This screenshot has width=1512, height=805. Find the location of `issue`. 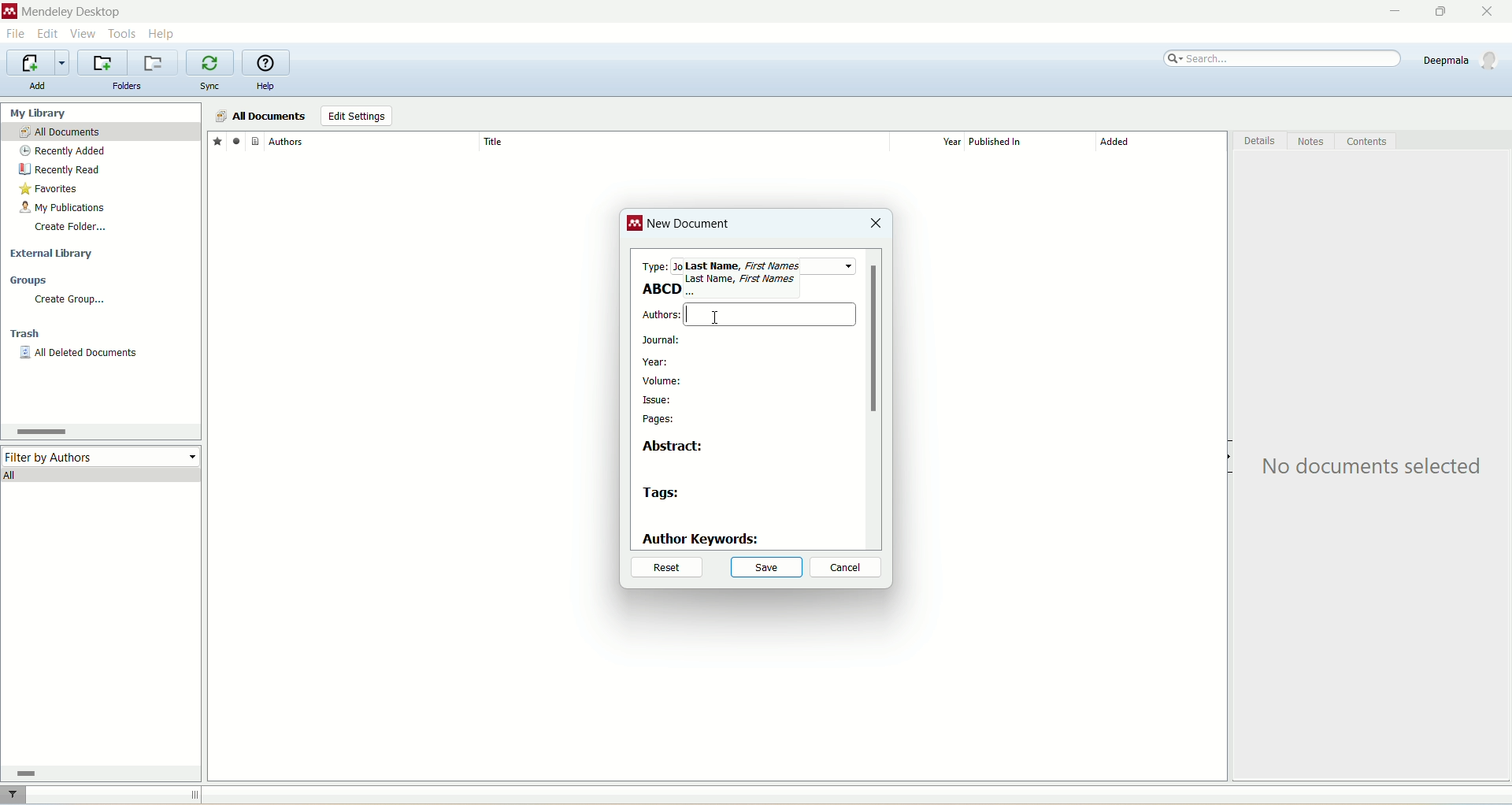

issue is located at coordinates (658, 402).